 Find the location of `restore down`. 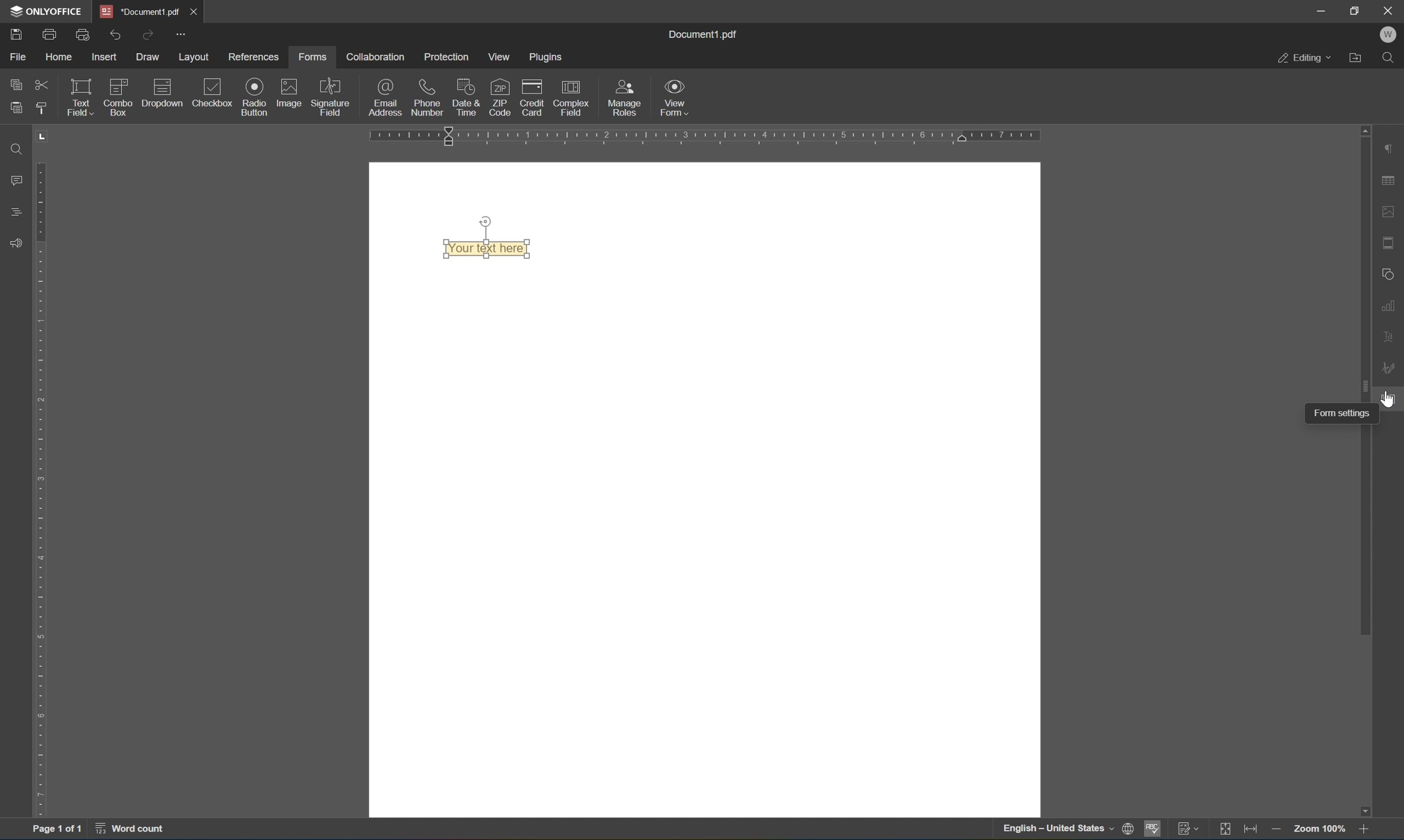

restore down is located at coordinates (1356, 10).